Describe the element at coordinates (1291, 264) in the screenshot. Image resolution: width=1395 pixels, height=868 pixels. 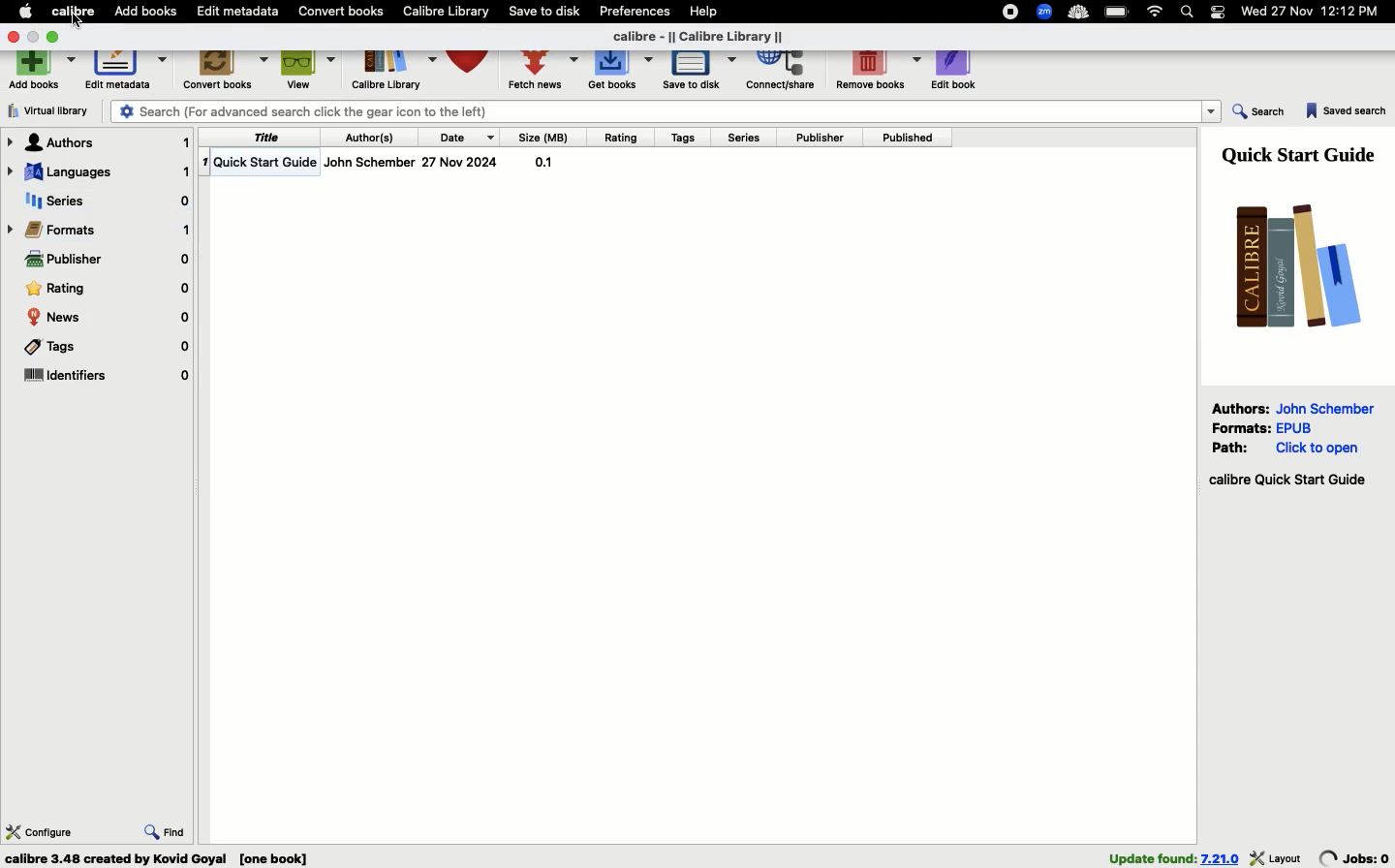
I see `Logo` at that location.